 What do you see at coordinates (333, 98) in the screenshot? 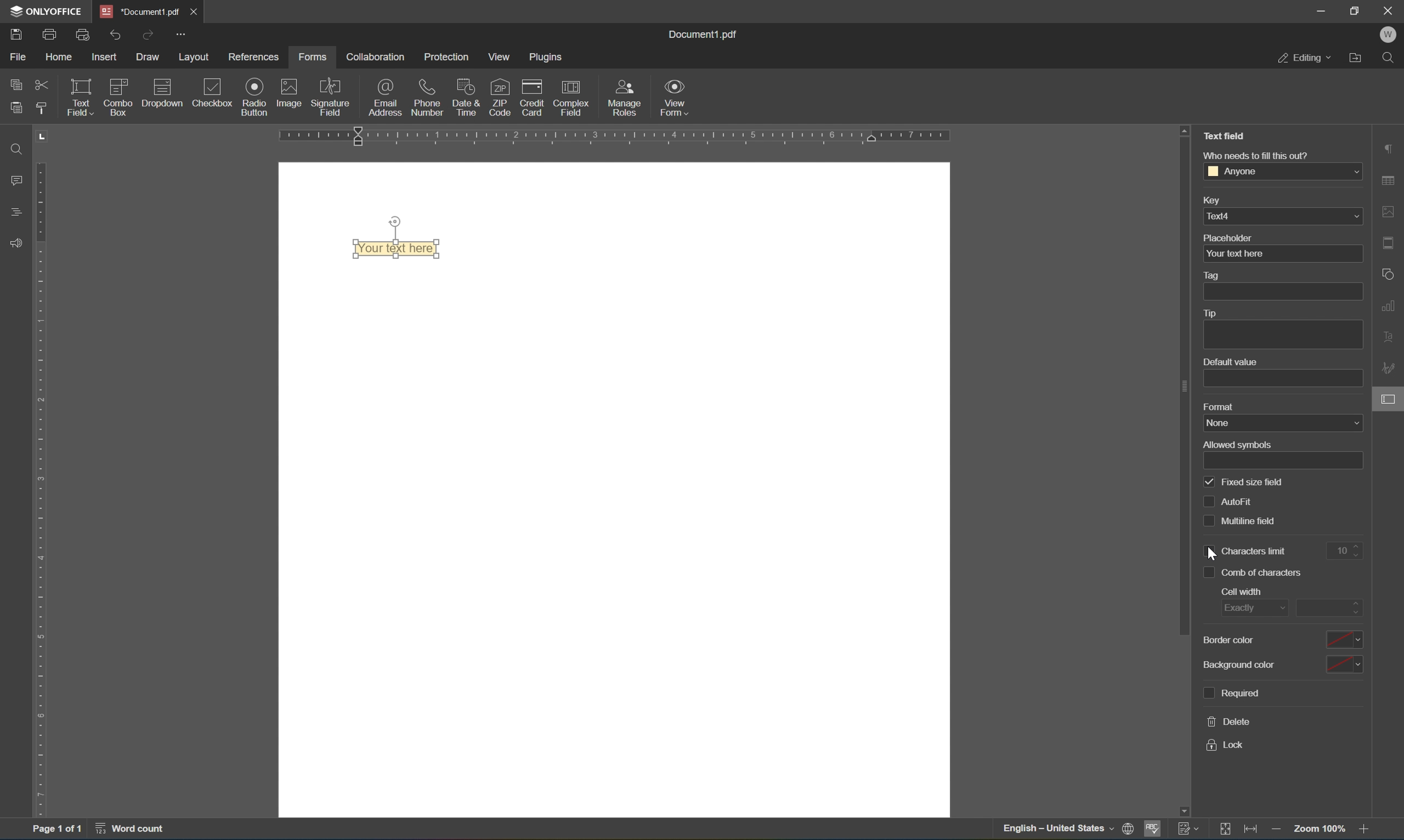
I see `signature field` at bounding box center [333, 98].